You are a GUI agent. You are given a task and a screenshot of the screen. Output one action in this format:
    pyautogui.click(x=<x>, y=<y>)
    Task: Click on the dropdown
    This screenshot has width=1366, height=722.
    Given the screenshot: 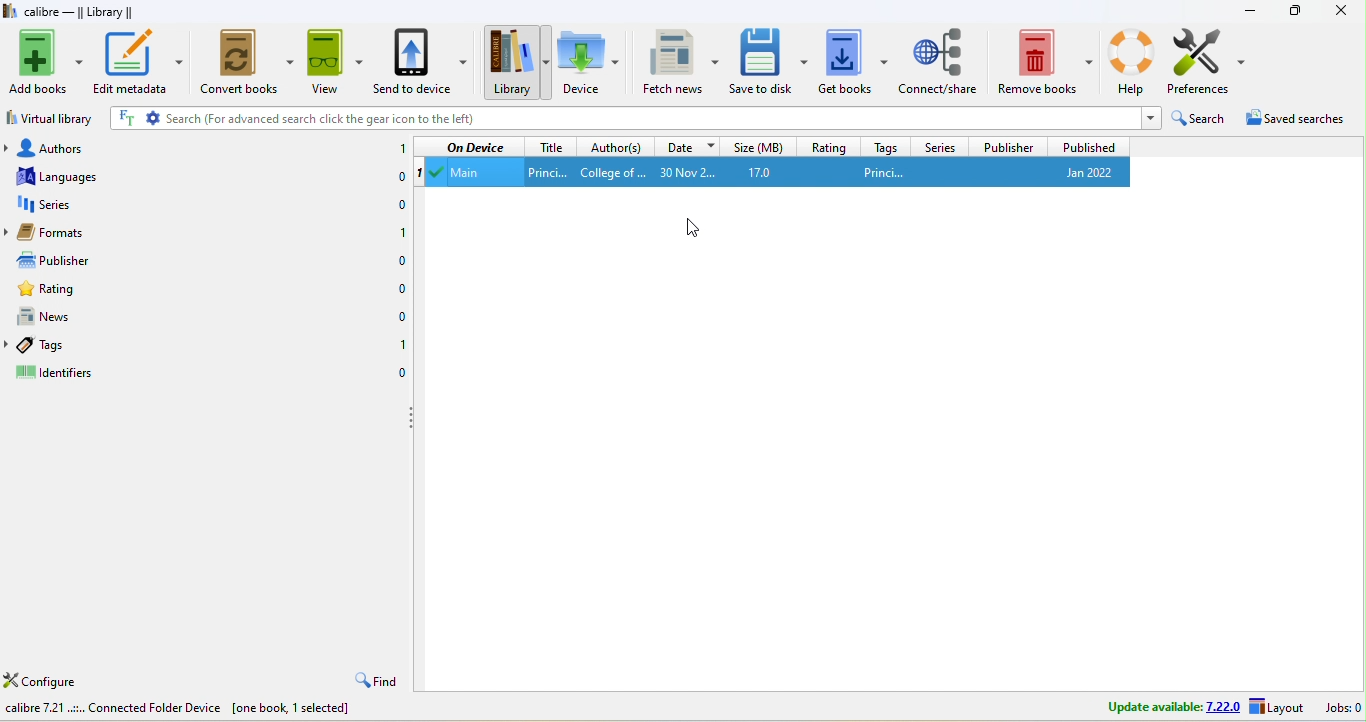 What is the action you would take?
    pyautogui.click(x=1149, y=118)
    